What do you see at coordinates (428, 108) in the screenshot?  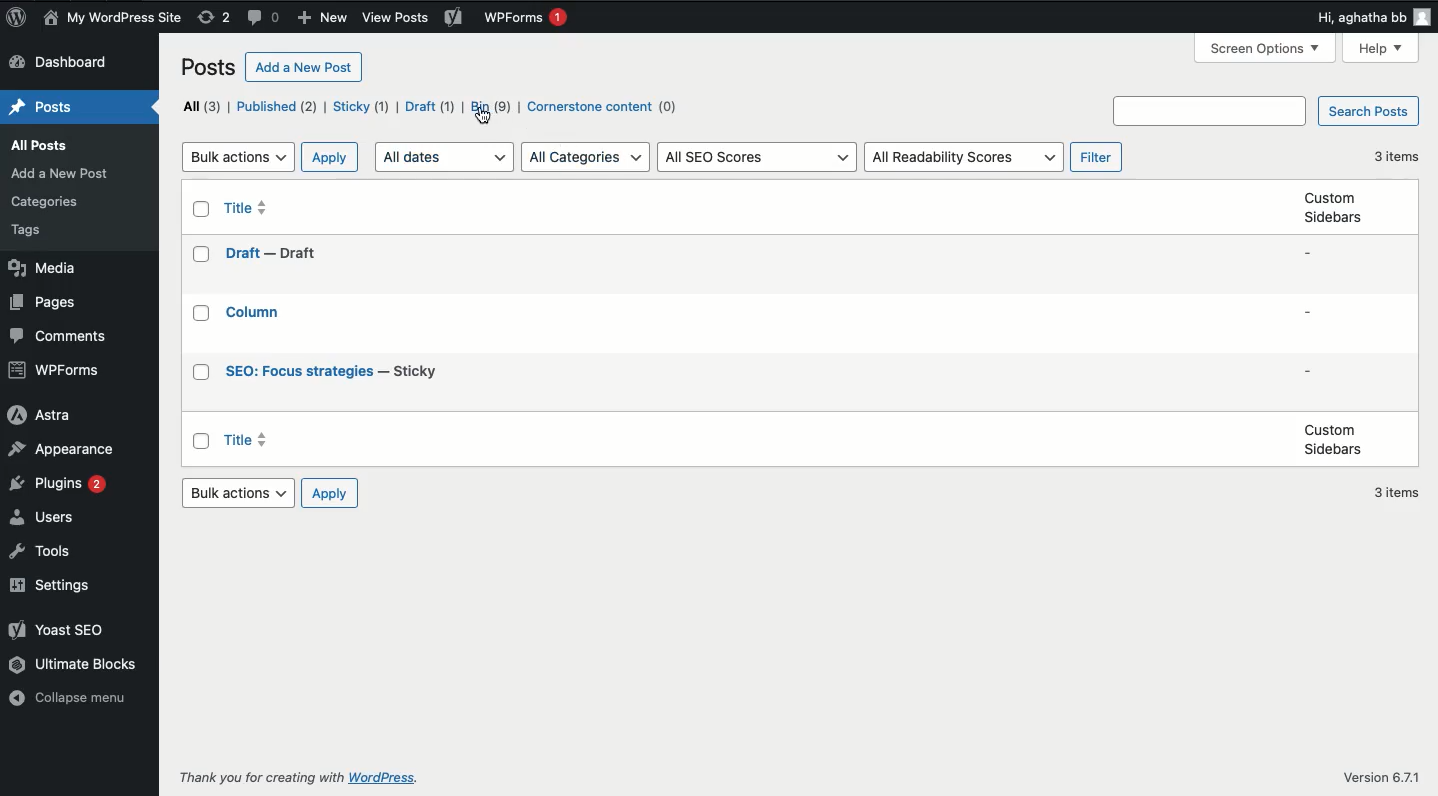 I see `Draft` at bounding box center [428, 108].